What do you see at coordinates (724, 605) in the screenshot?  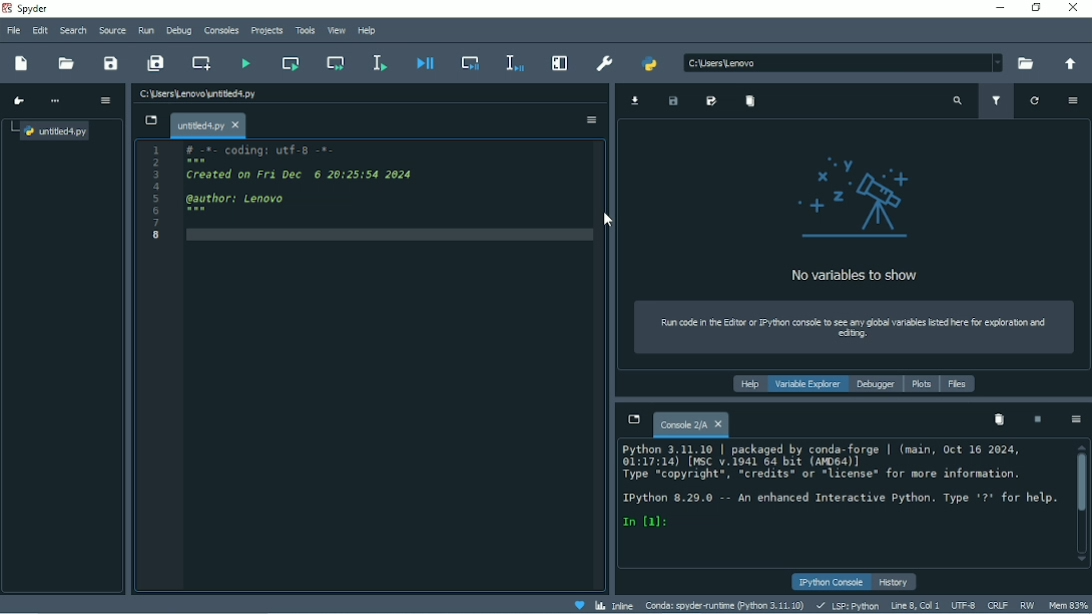 I see `Conda` at bounding box center [724, 605].